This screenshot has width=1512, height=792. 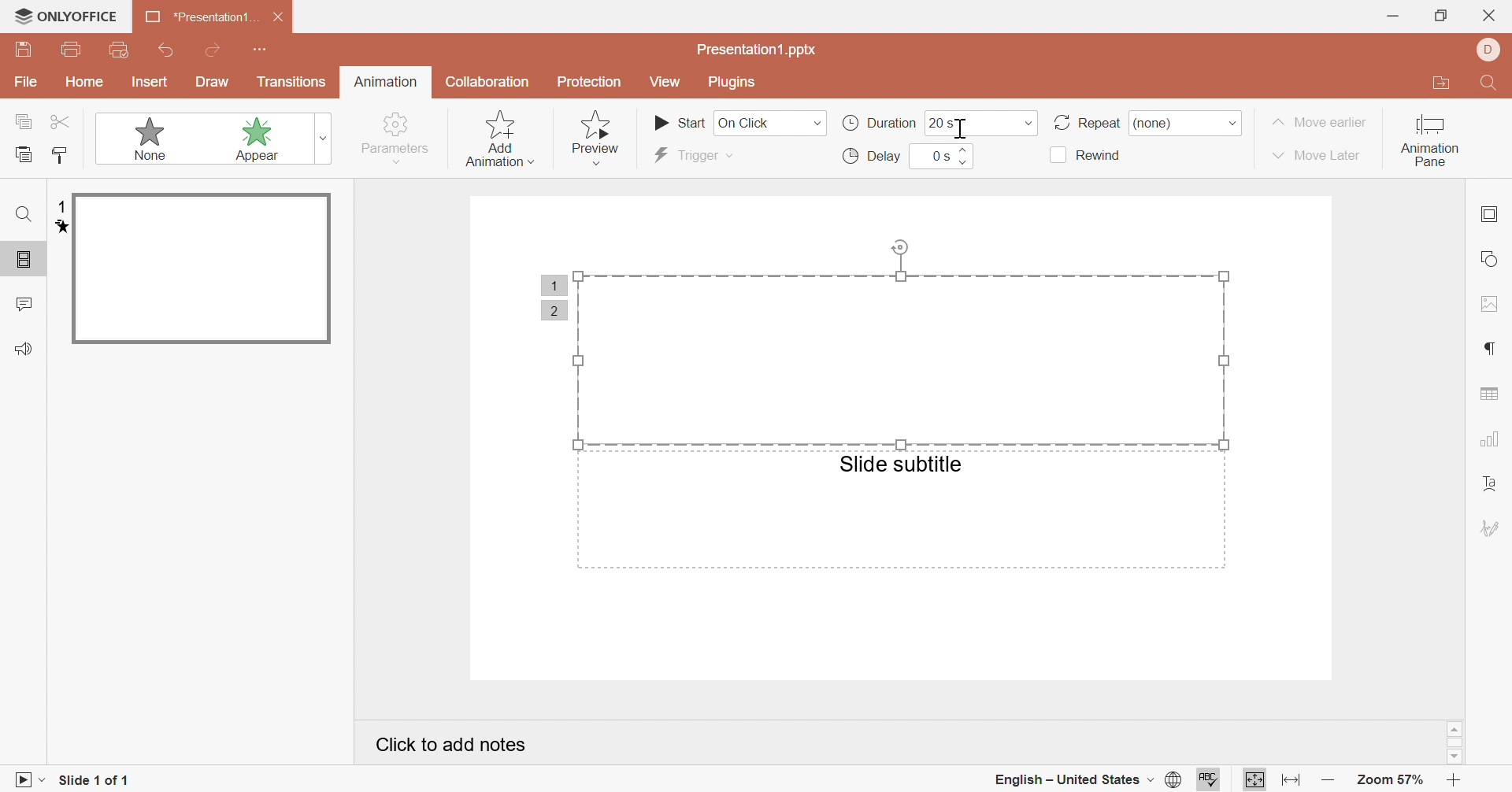 I want to click on english - united states, so click(x=1072, y=781).